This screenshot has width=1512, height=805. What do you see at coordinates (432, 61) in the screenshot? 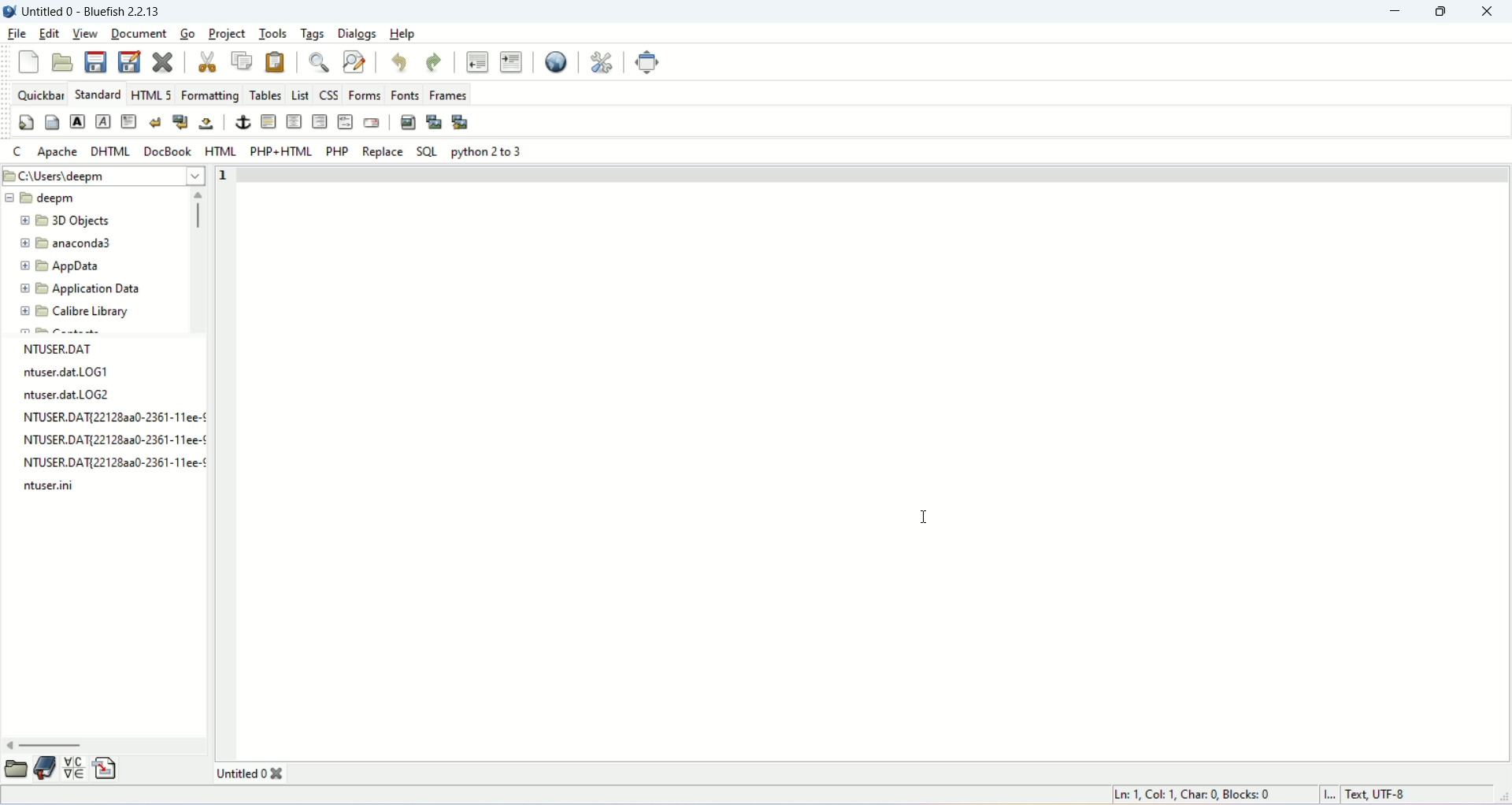
I see `redo` at bounding box center [432, 61].